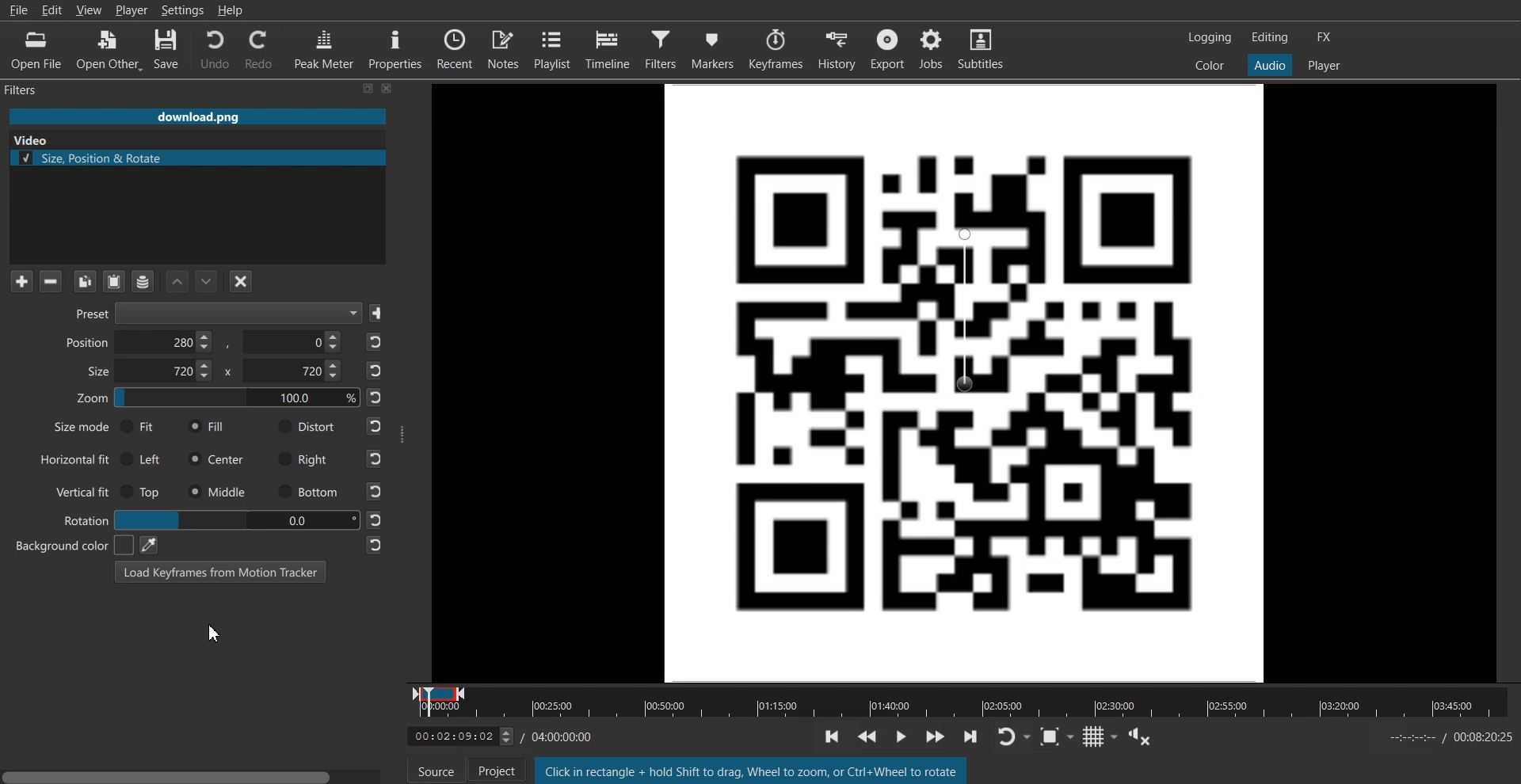 The image size is (1521, 784). Describe the element at coordinates (975, 740) in the screenshot. I see `Skip to the next point` at that location.